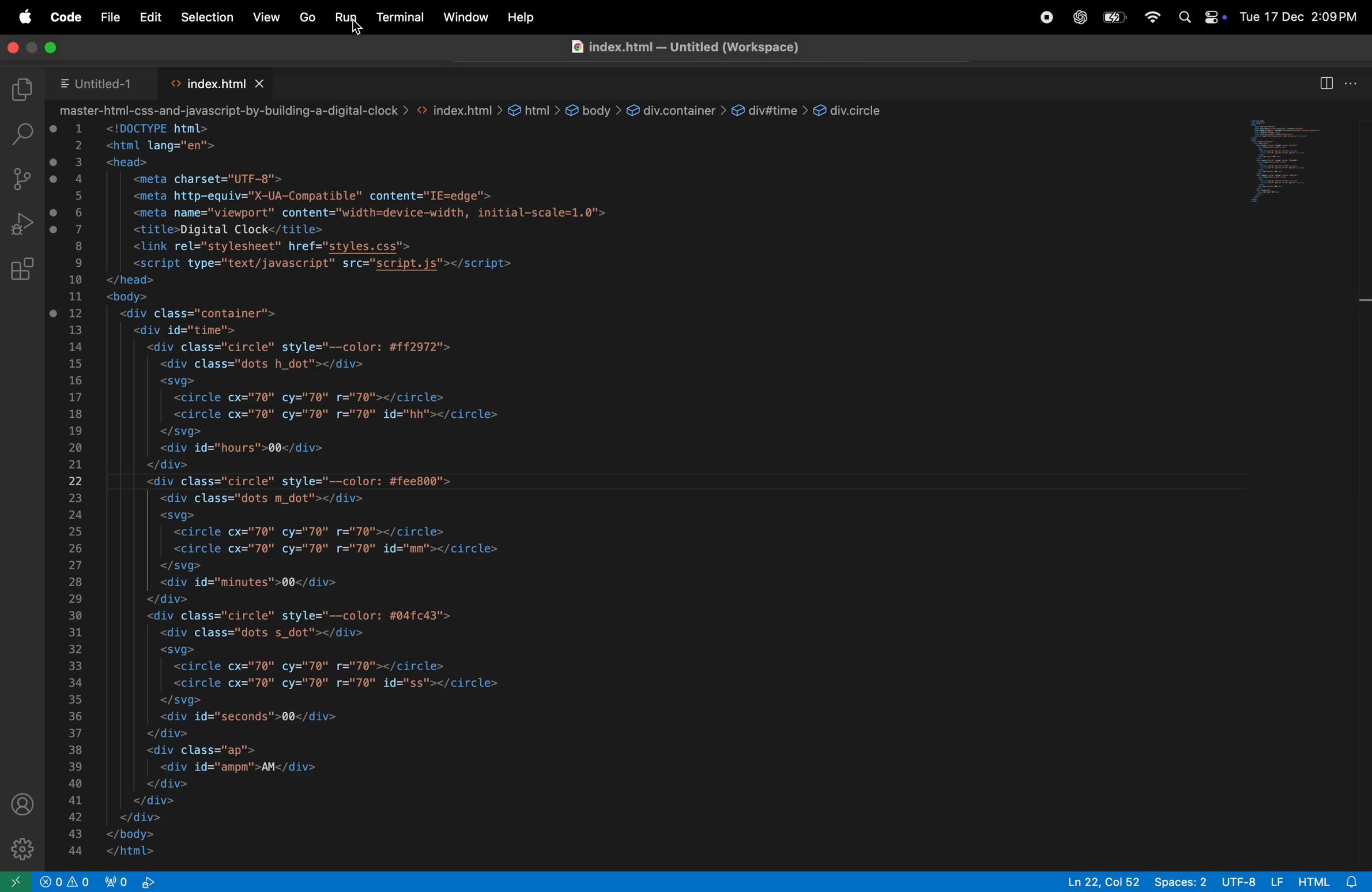 The width and height of the screenshot is (1372, 892). Describe the element at coordinates (1353, 81) in the screenshot. I see `option` at that location.